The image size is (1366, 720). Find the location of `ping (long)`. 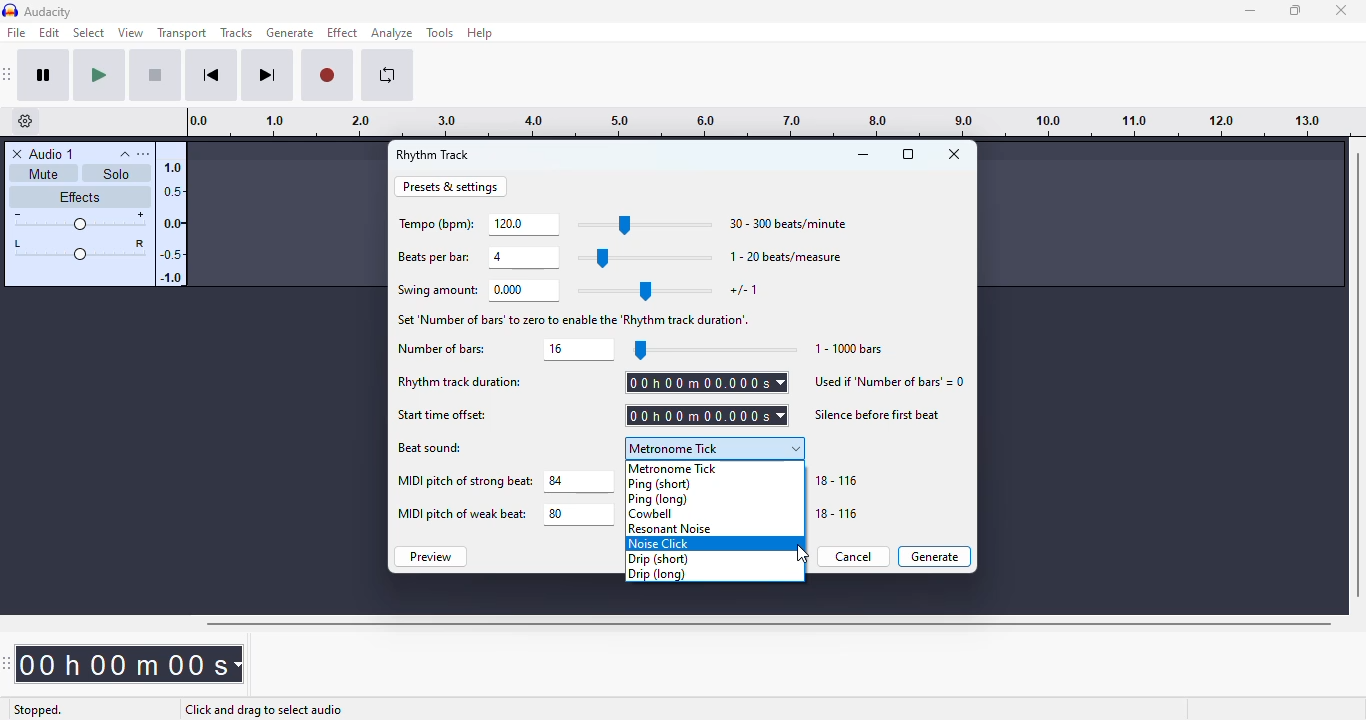

ping (long) is located at coordinates (714, 500).